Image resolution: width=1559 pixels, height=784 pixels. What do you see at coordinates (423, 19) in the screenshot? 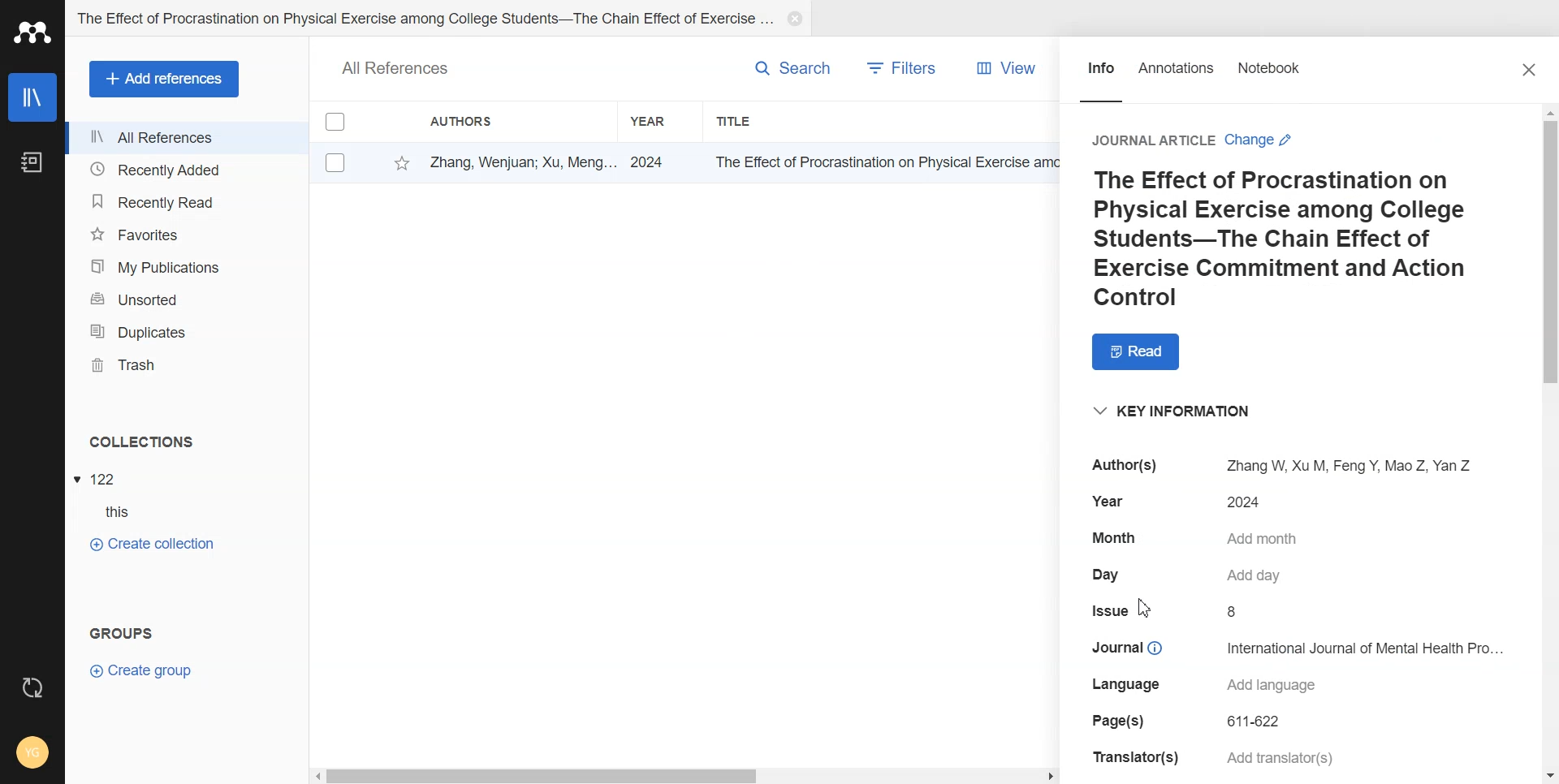
I see `Folder` at bounding box center [423, 19].